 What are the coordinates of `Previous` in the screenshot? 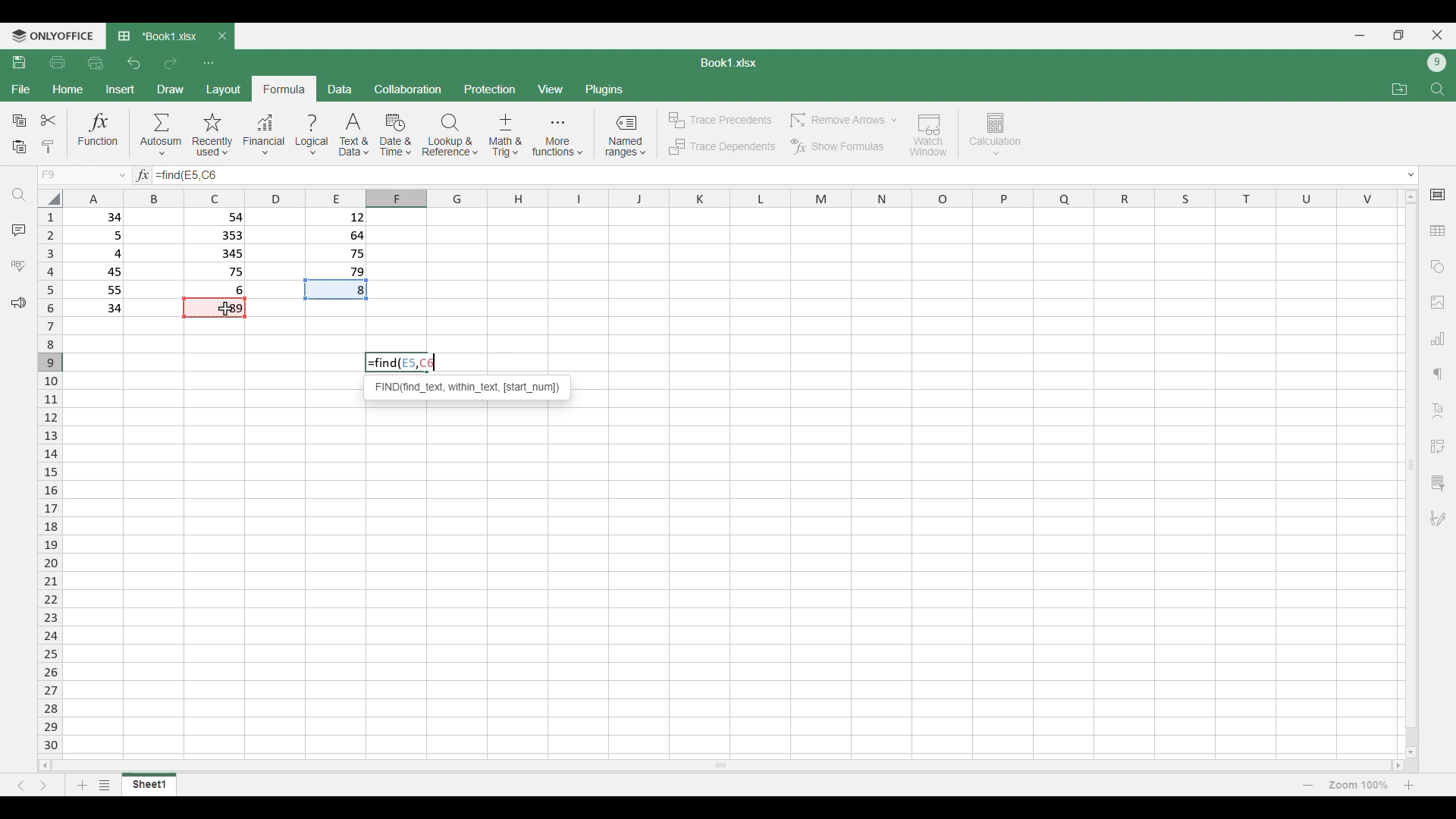 It's located at (20, 786).